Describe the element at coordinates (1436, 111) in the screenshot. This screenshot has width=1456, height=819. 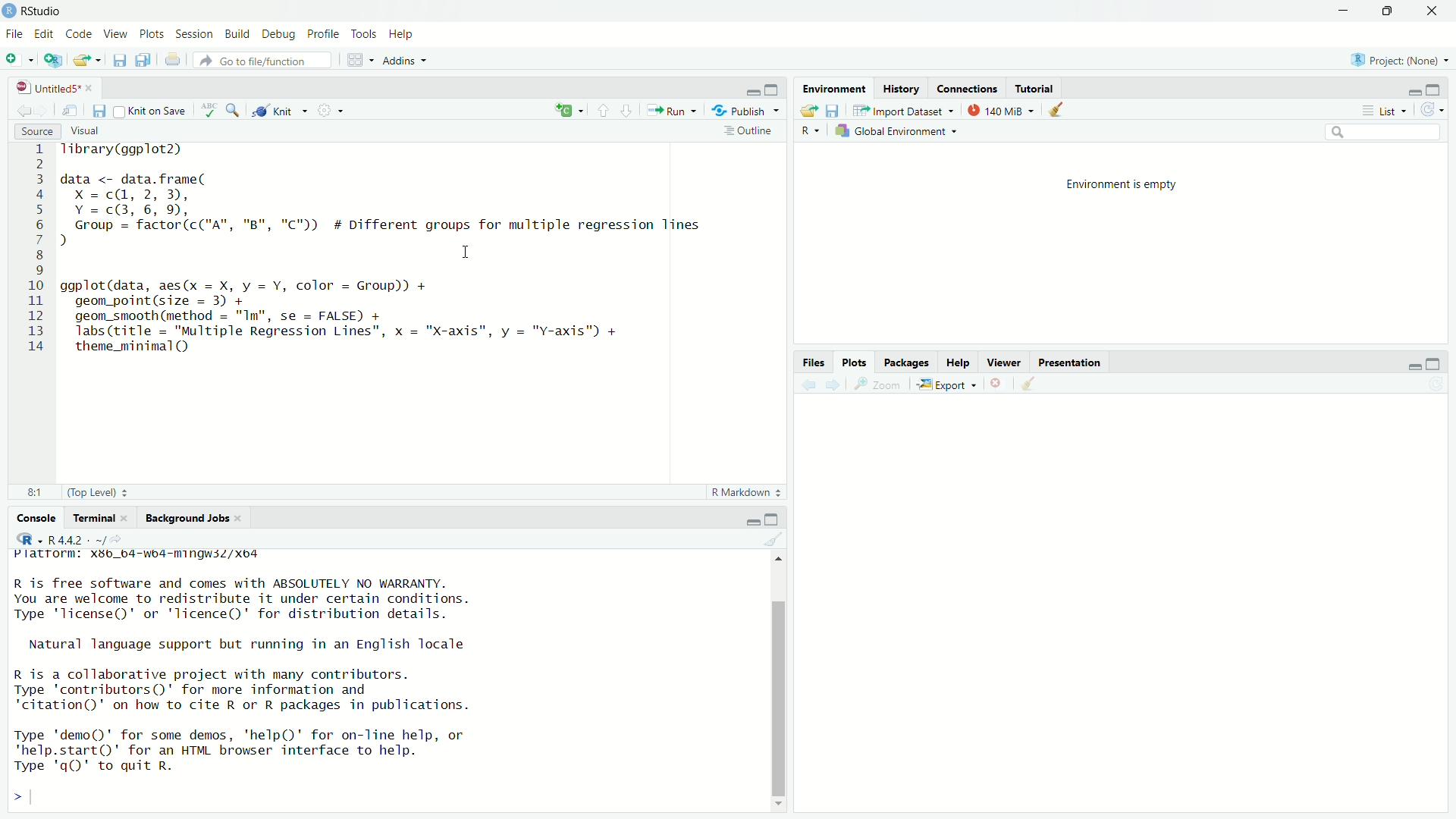
I see `refresh` at that location.